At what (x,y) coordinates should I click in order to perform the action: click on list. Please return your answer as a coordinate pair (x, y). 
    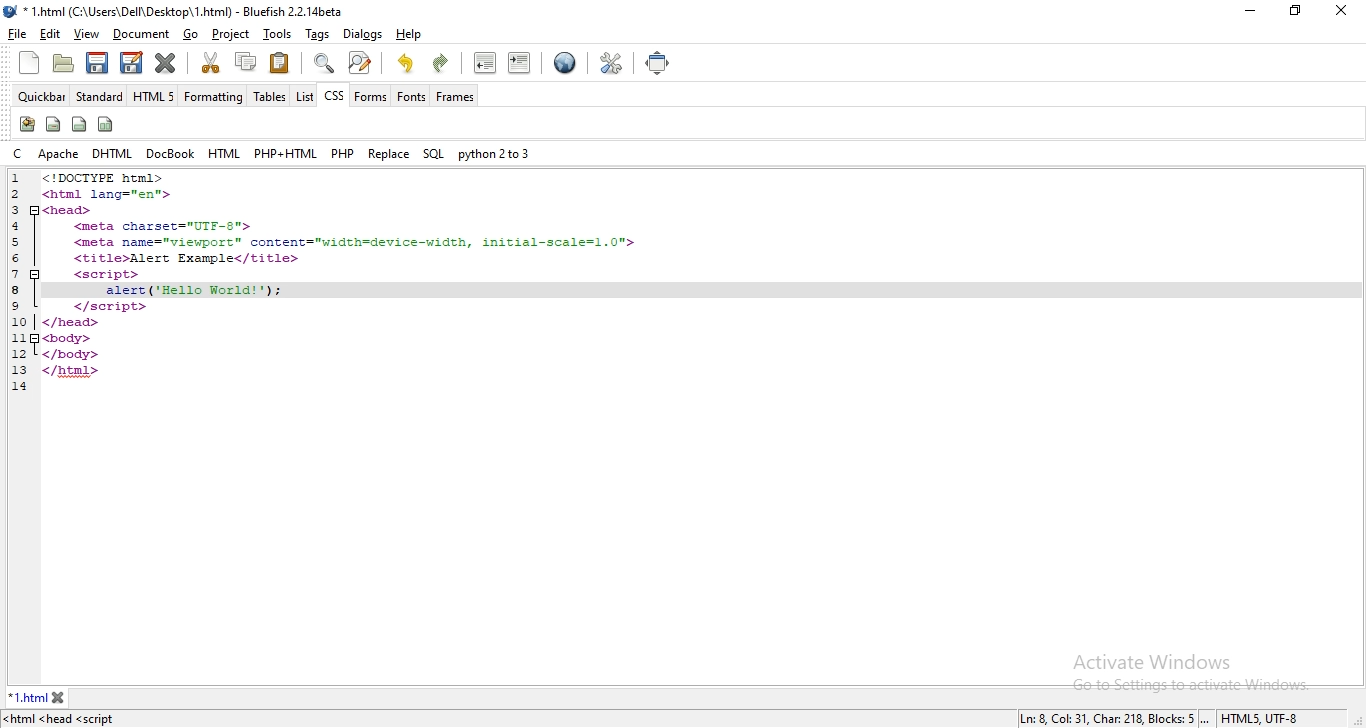
    Looking at the image, I should click on (303, 95).